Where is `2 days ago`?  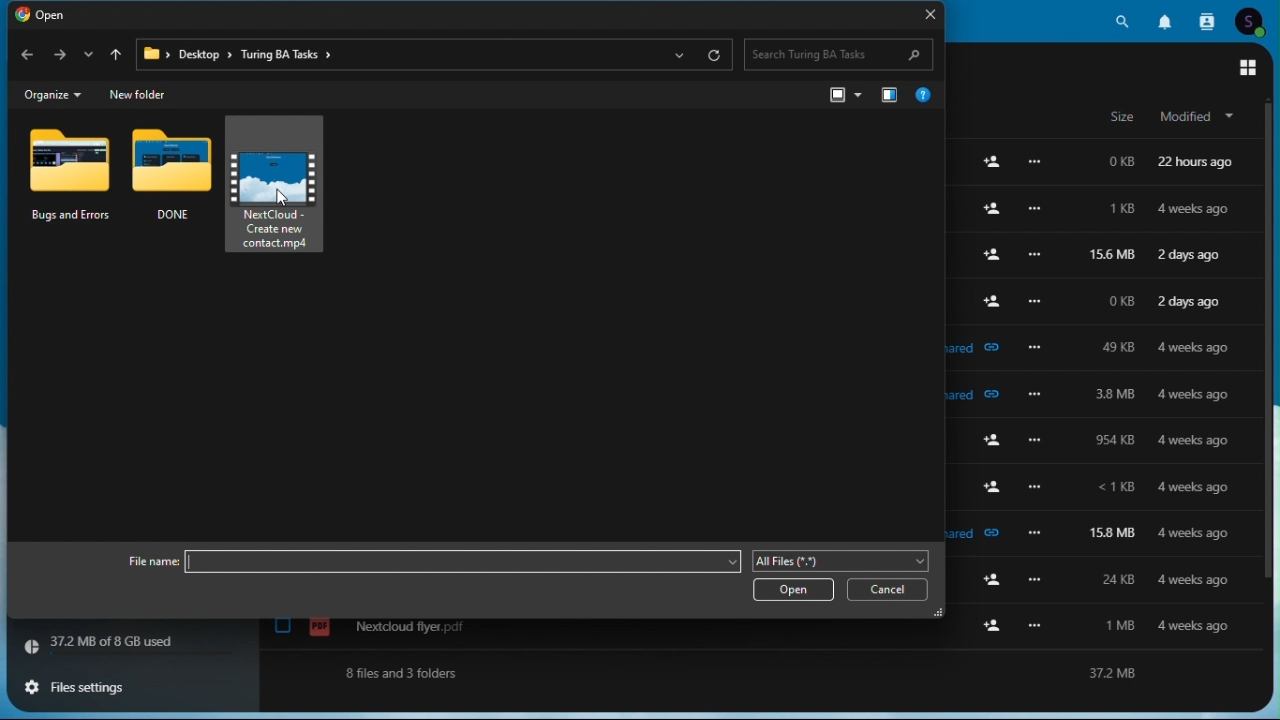 2 days ago is located at coordinates (1191, 258).